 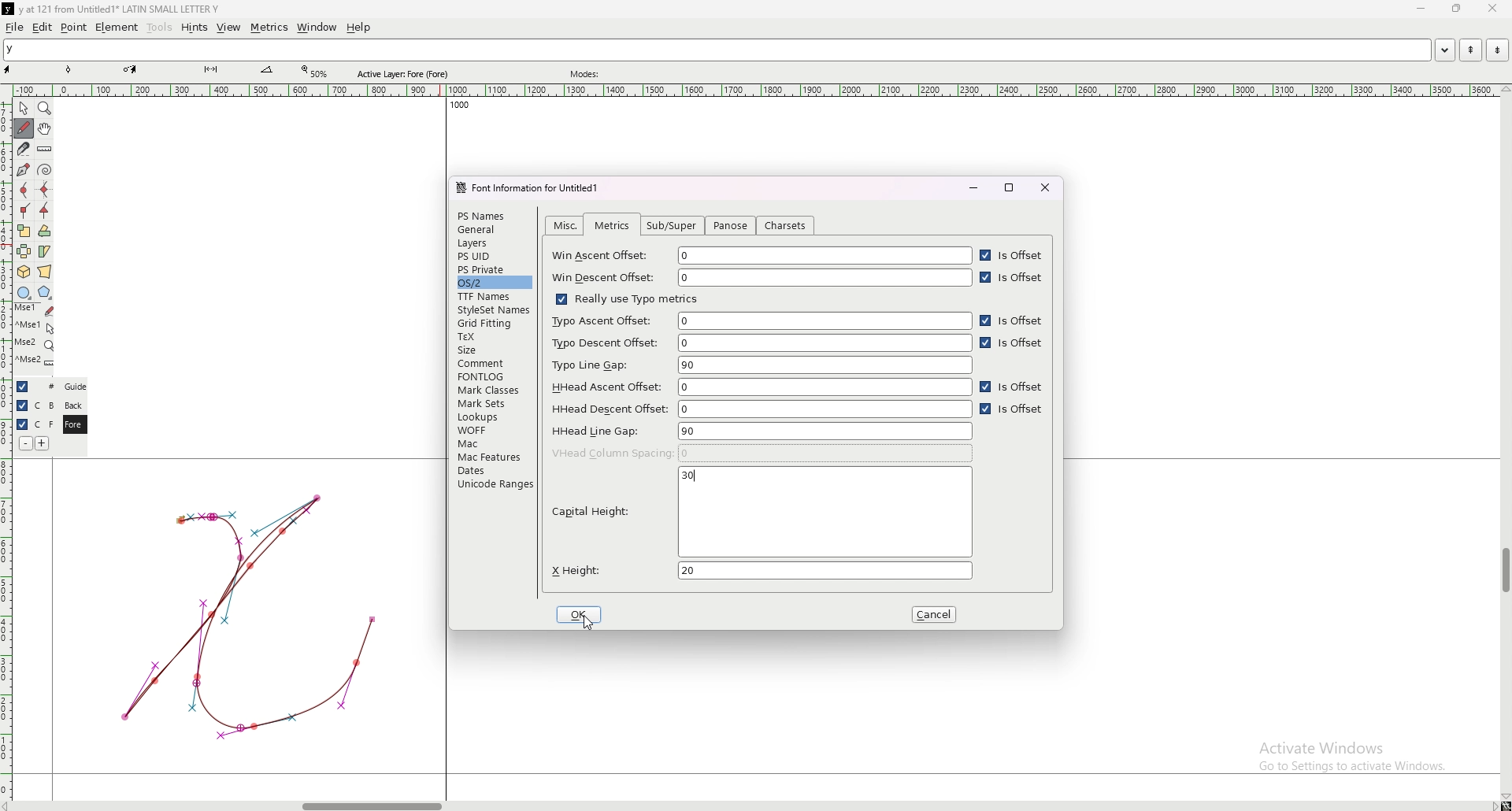 What do you see at coordinates (625, 298) in the screenshot?
I see `really use typo metrics` at bounding box center [625, 298].